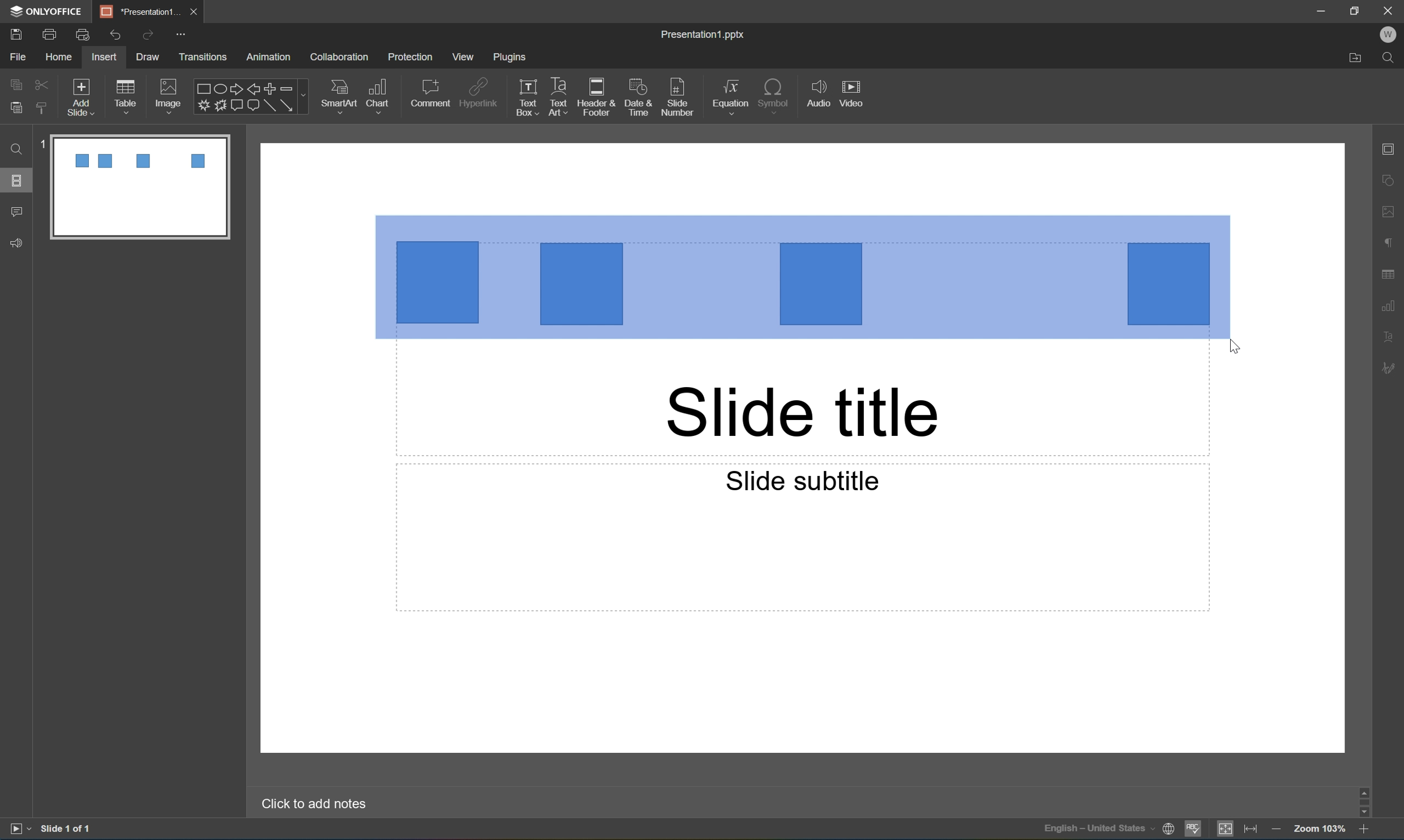 This screenshot has height=840, width=1404. I want to click on print, so click(48, 33).